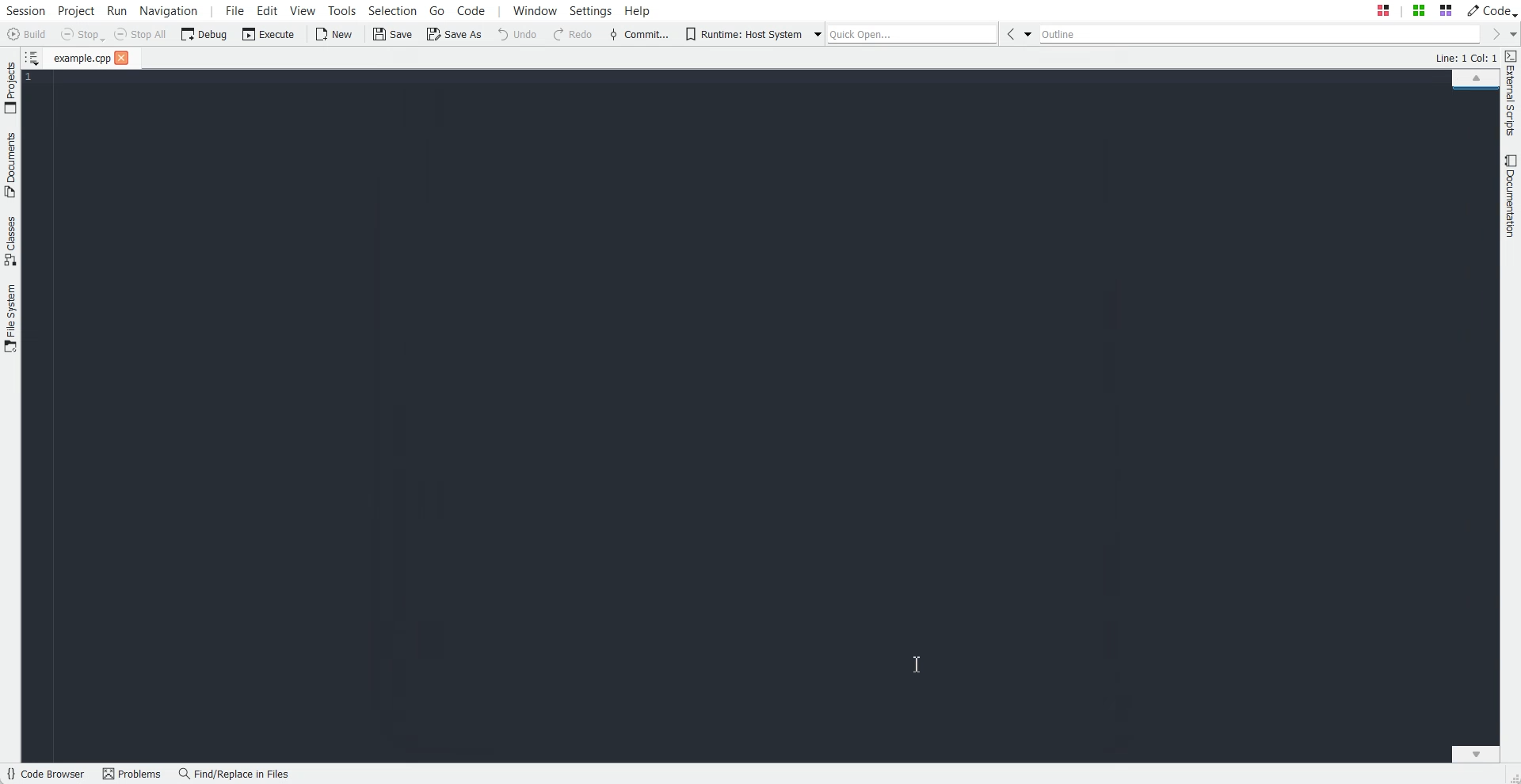 This screenshot has width=1521, height=784. I want to click on Drop down box, so click(1028, 33).